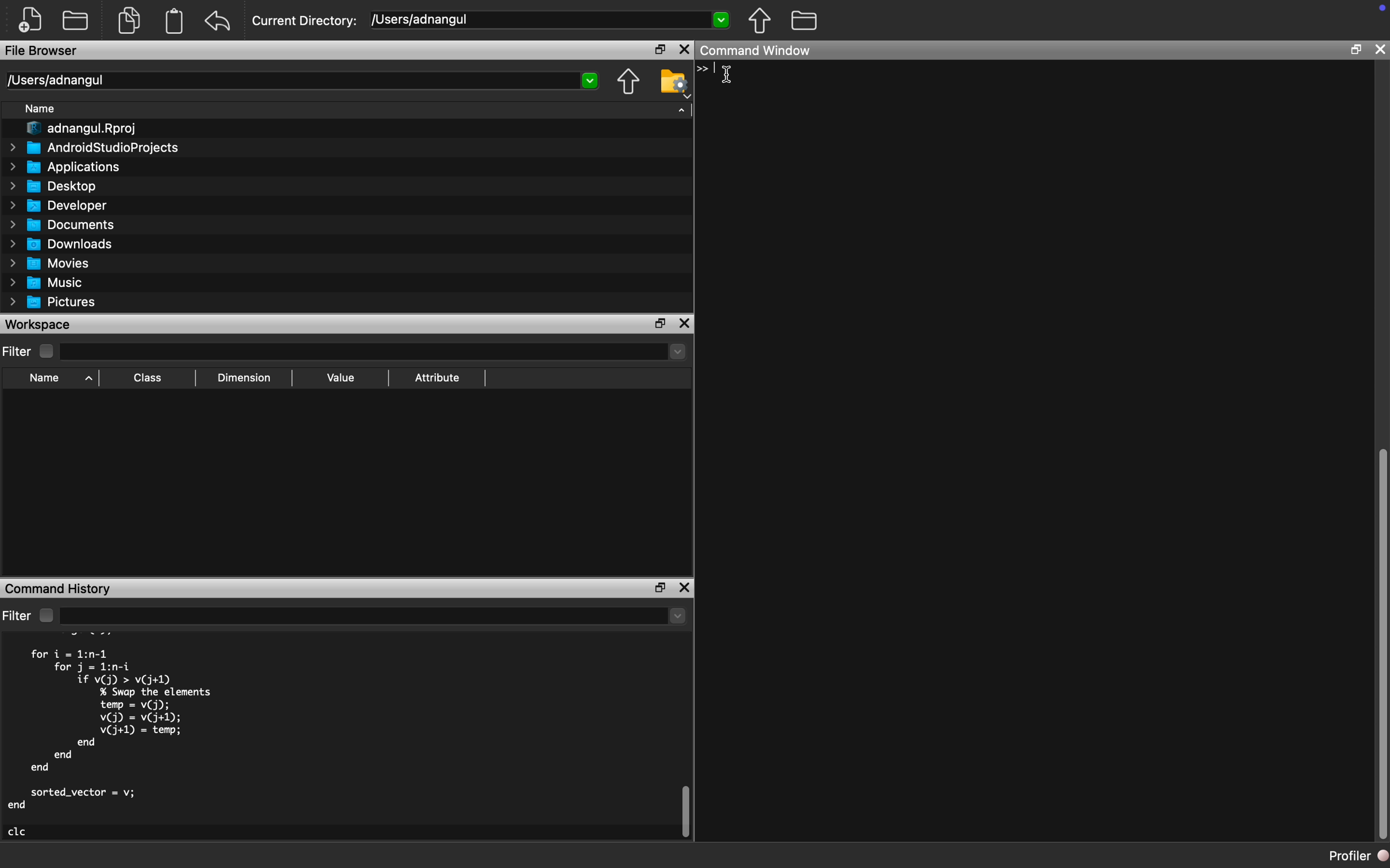 This screenshot has width=1390, height=868. I want to click on Dropdown, so click(372, 352).